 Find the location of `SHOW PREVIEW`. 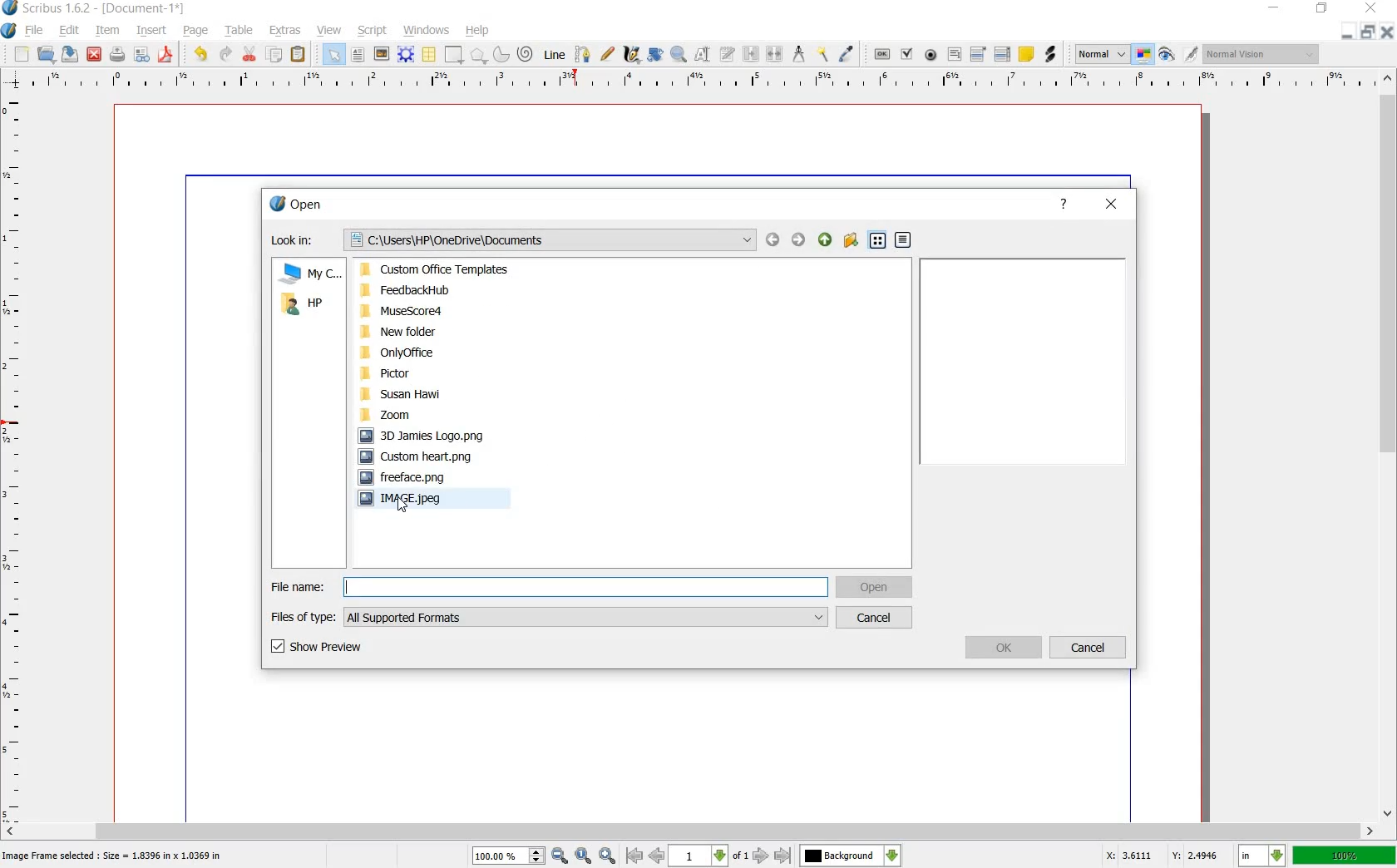

SHOW PREVIEW is located at coordinates (317, 650).